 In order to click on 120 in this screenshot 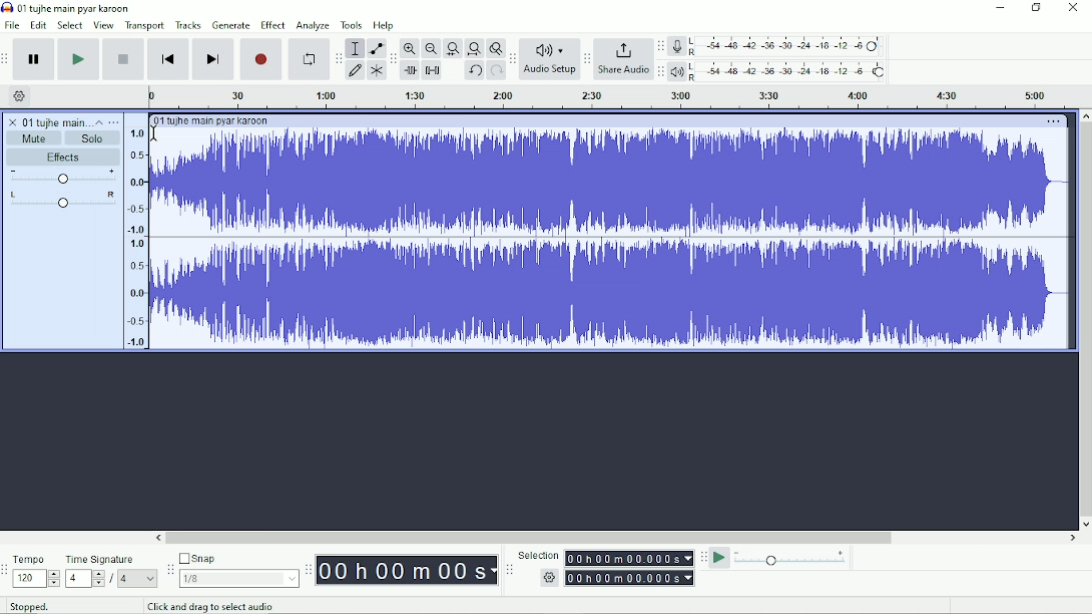, I will do `click(36, 579)`.